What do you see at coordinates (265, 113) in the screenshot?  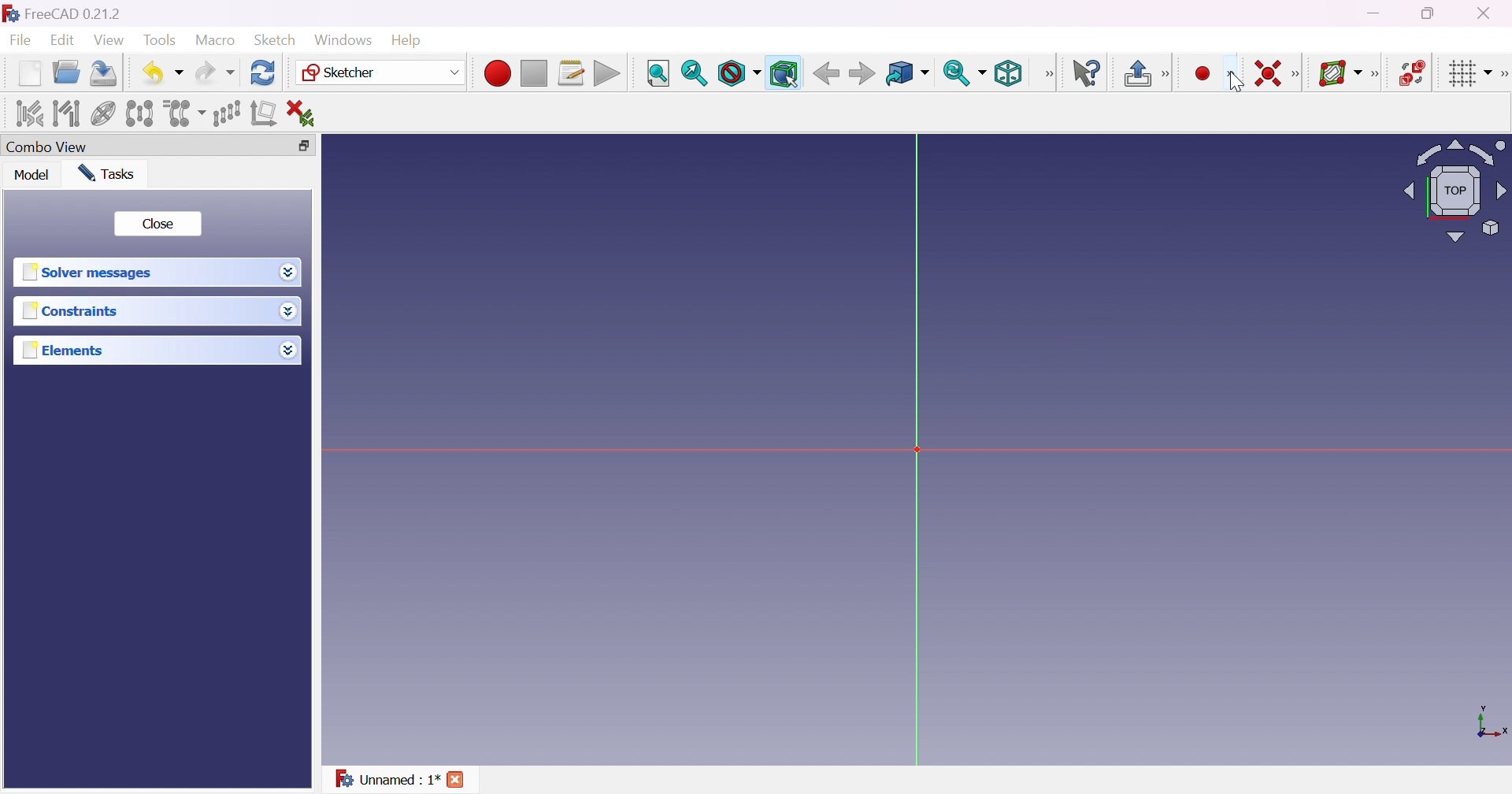 I see `Remove axes alignment` at bounding box center [265, 113].